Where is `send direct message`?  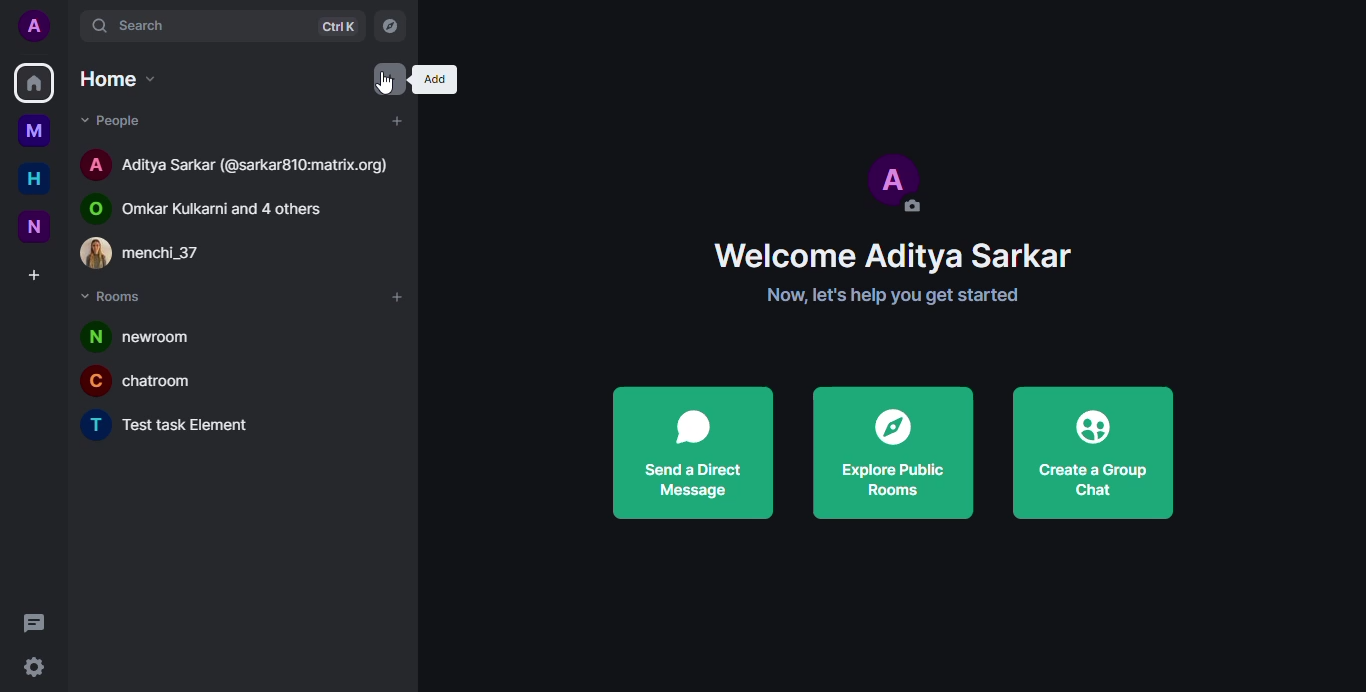 send direct message is located at coordinates (690, 452).